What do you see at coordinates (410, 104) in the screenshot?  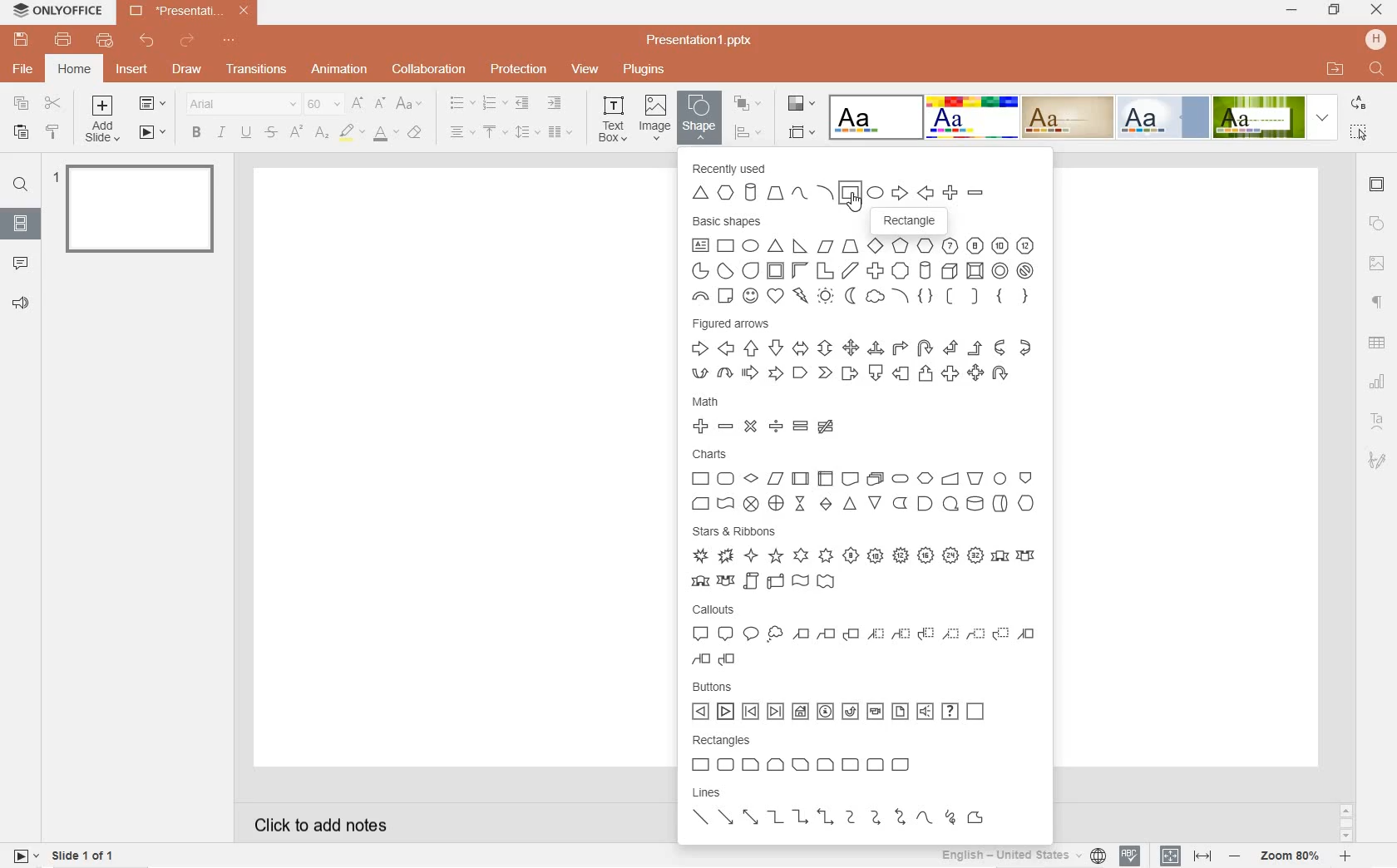 I see `change case` at bounding box center [410, 104].